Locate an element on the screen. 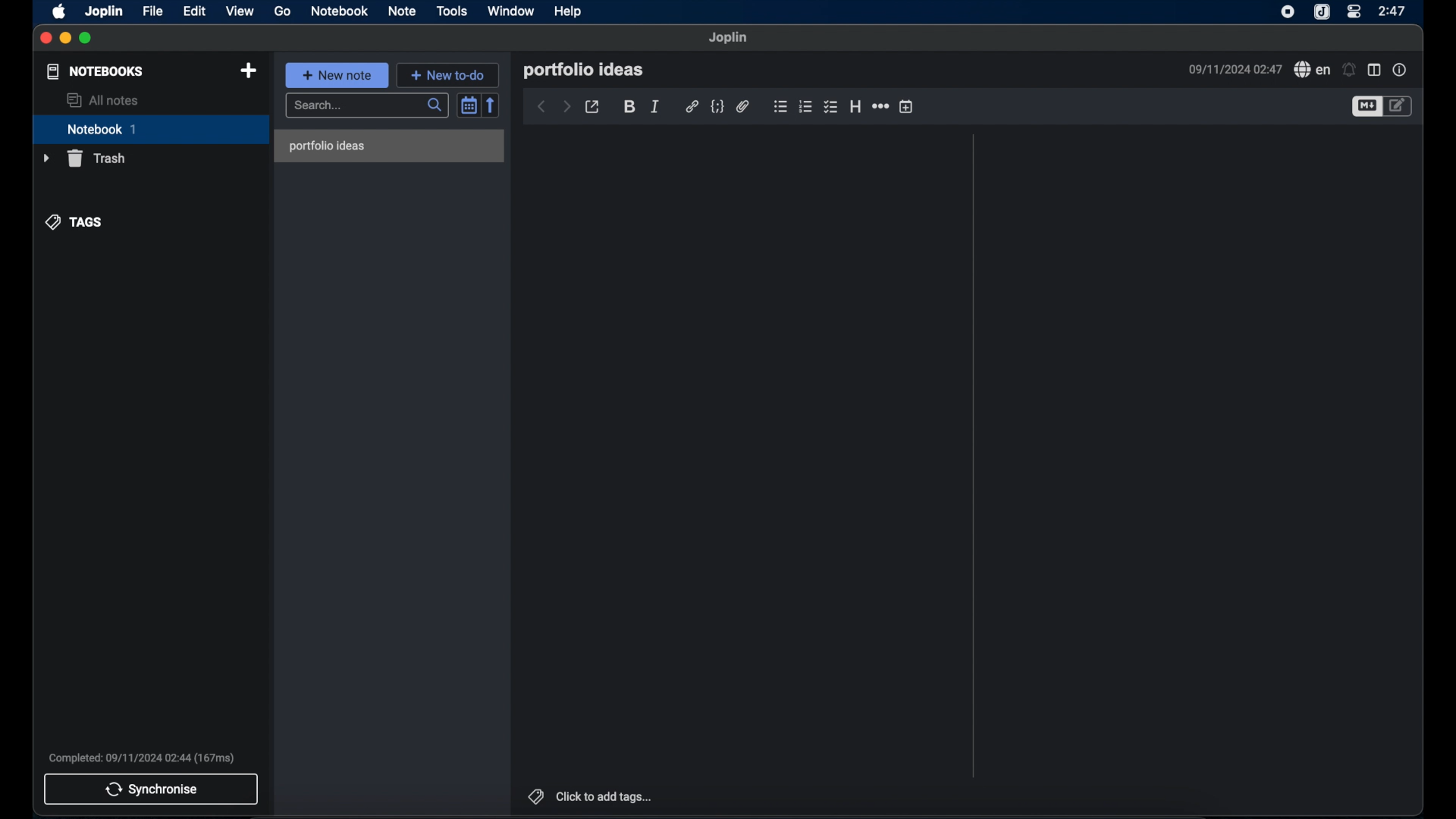 This screenshot has height=819, width=1456. click to add tags is located at coordinates (592, 797).